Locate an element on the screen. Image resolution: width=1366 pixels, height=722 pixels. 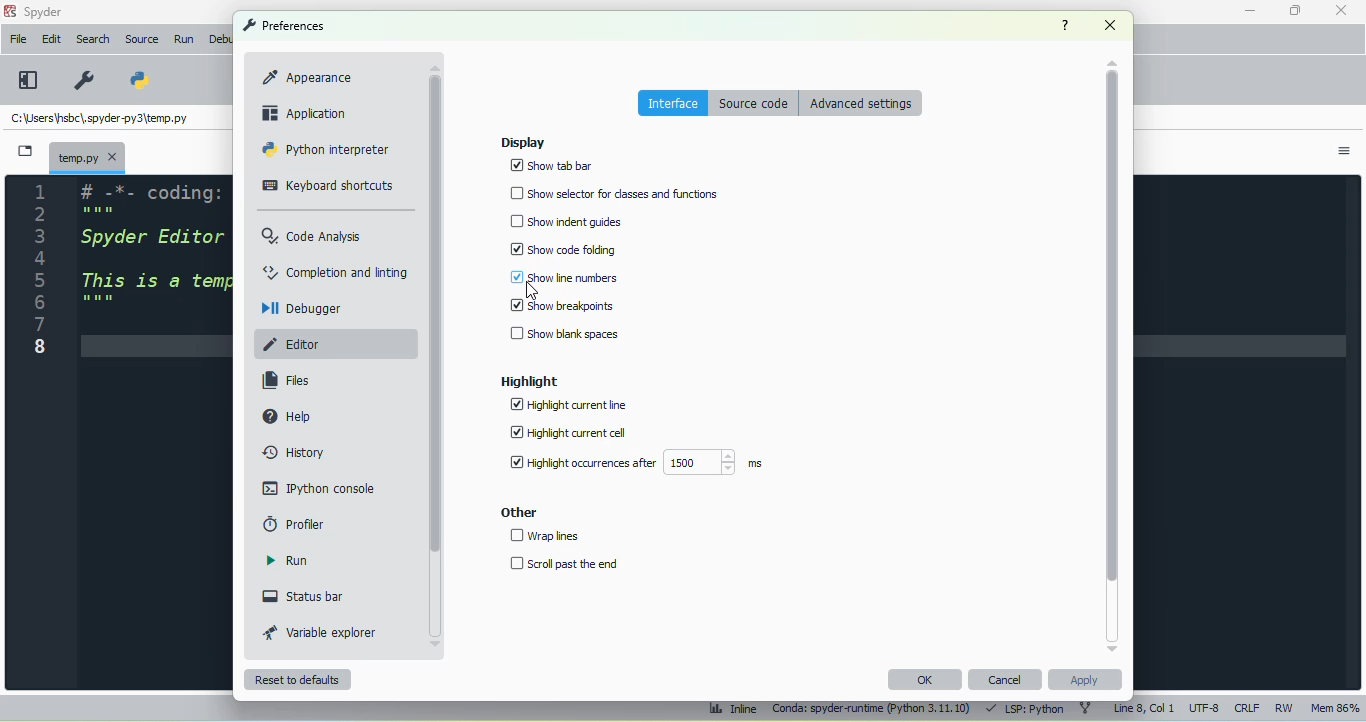
temporary file is located at coordinates (88, 157).